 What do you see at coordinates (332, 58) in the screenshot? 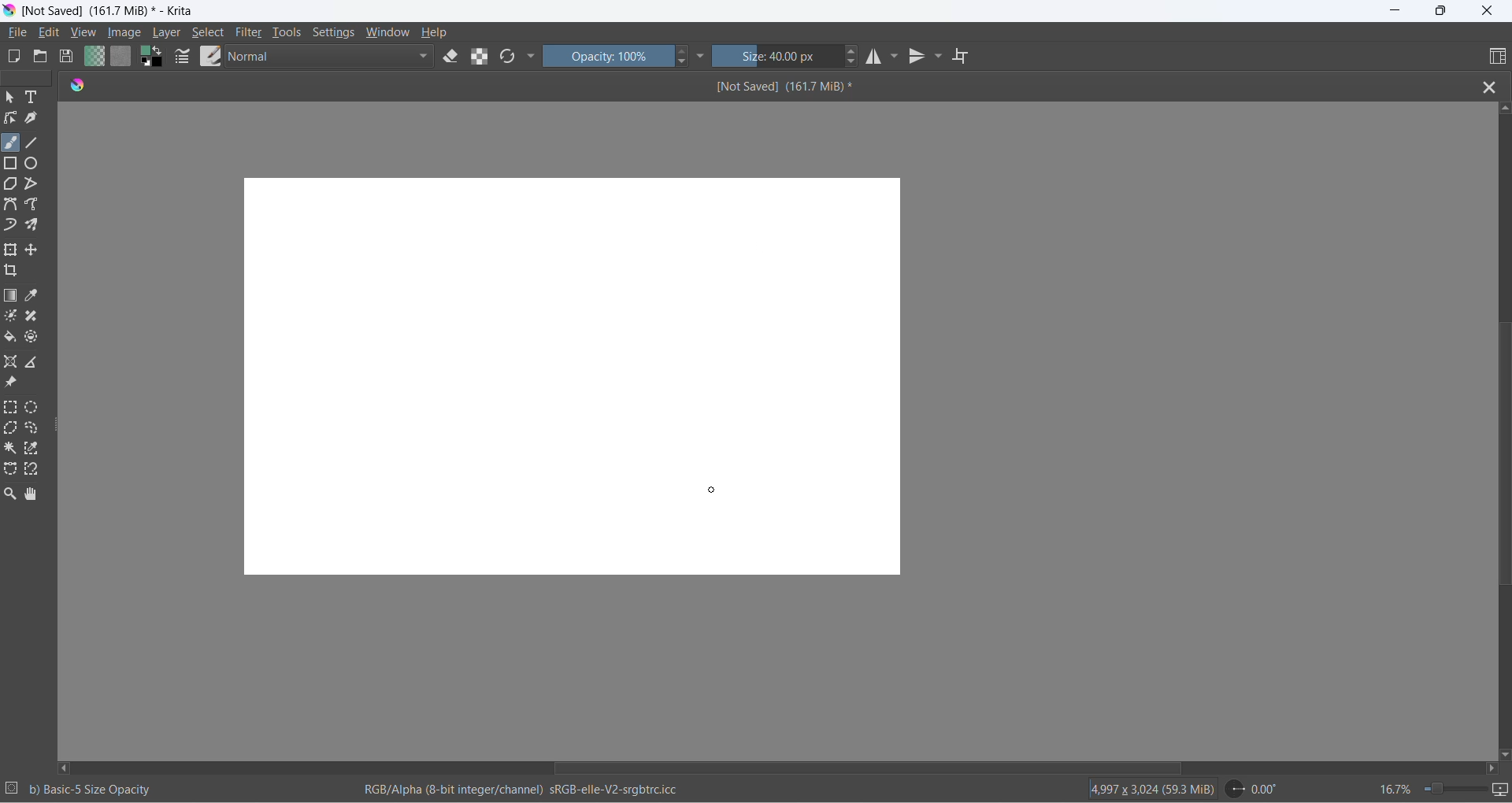
I see `blenders mode` at bounding box center [332, 58].